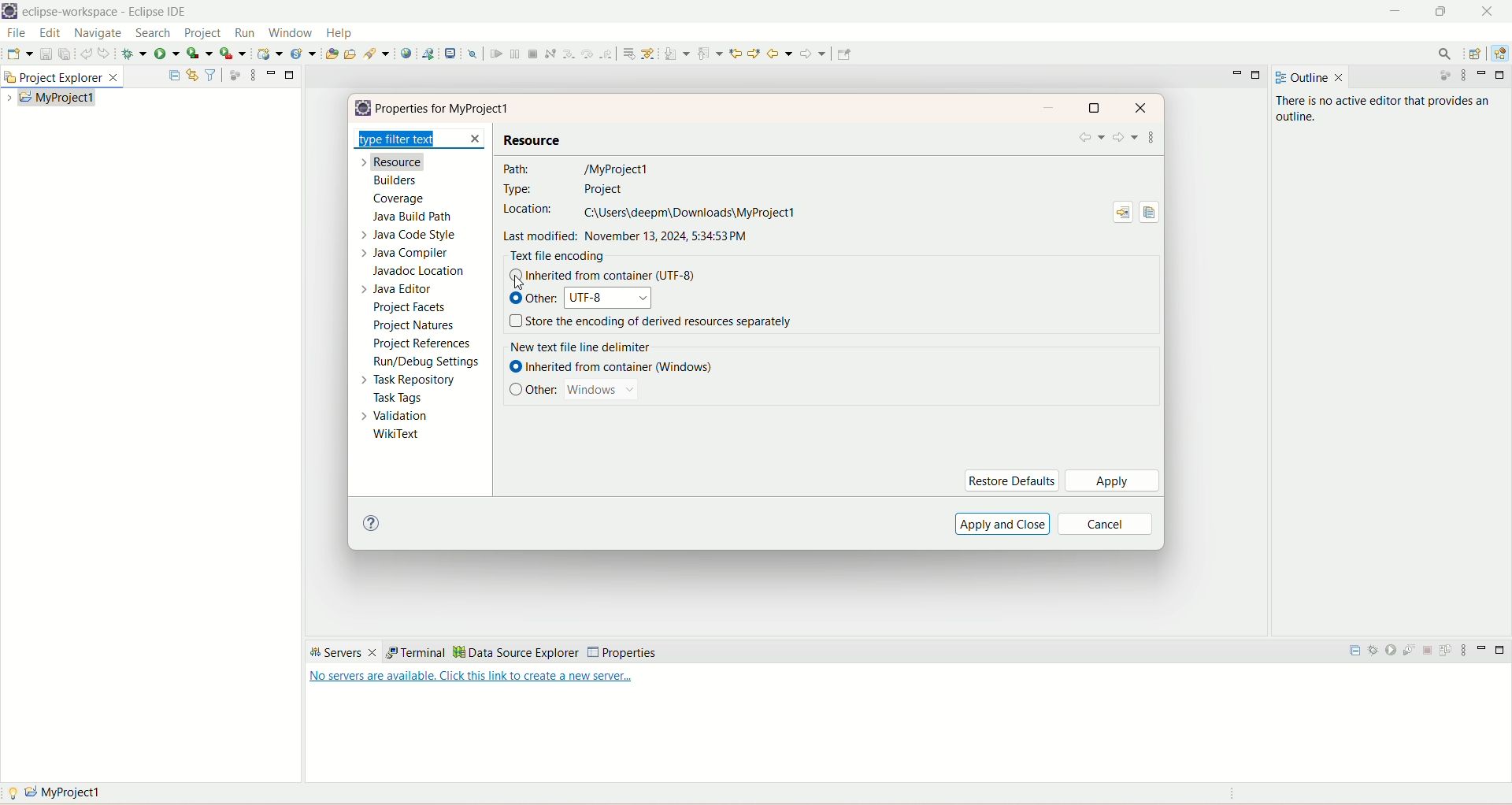  Describe the element at coordinates (1440, 13) in the screenshot. I see `maximize` at that location.